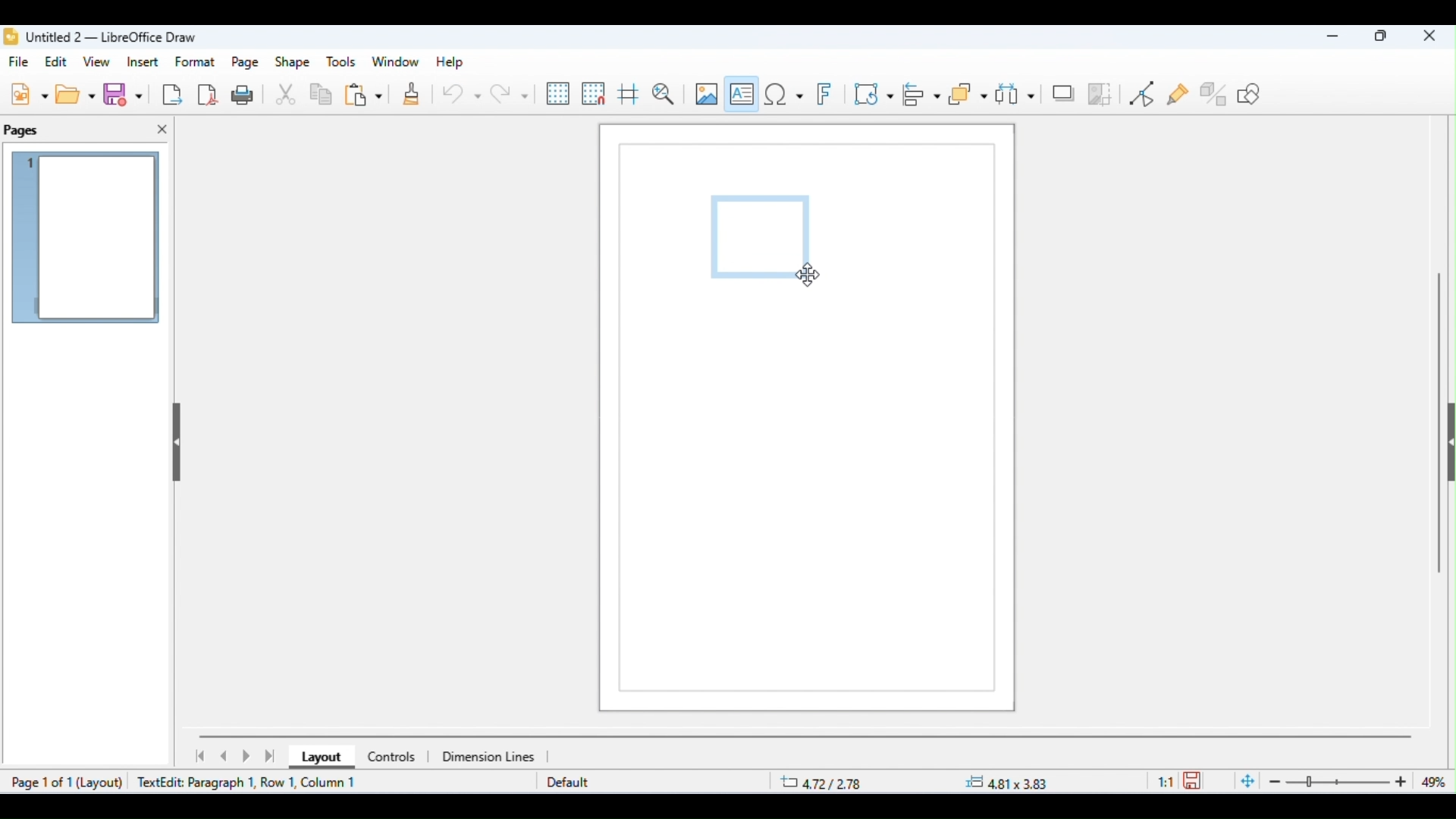  Describe the element at coordinates (29, 93) in the screenshot. I see `new` at that location.